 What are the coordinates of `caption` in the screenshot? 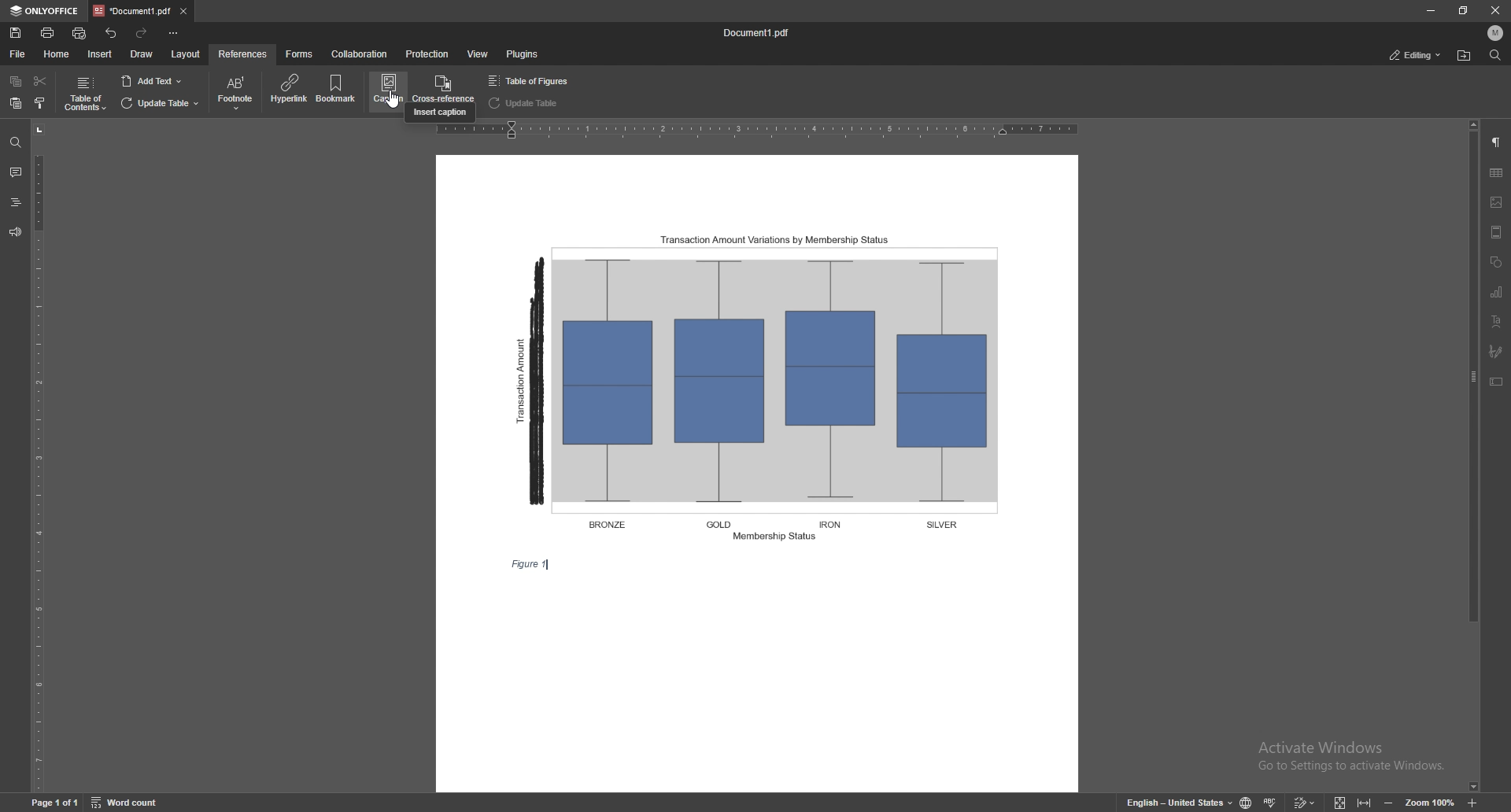 It's located at (531, 563).